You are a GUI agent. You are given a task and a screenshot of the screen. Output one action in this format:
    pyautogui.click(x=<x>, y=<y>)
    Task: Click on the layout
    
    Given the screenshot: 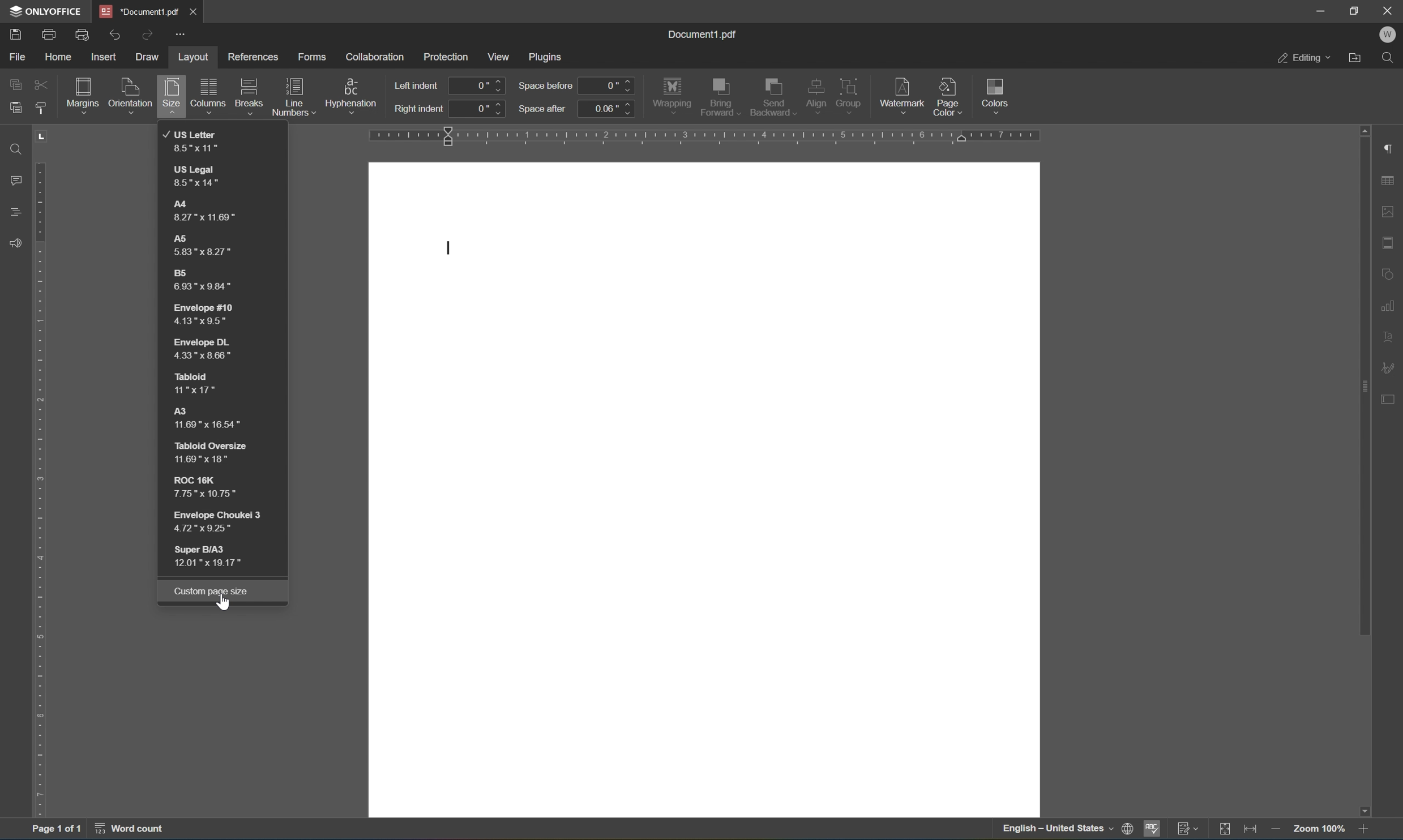 What is the action you would take?
    pyautogui.click(x=192, y=55)
    